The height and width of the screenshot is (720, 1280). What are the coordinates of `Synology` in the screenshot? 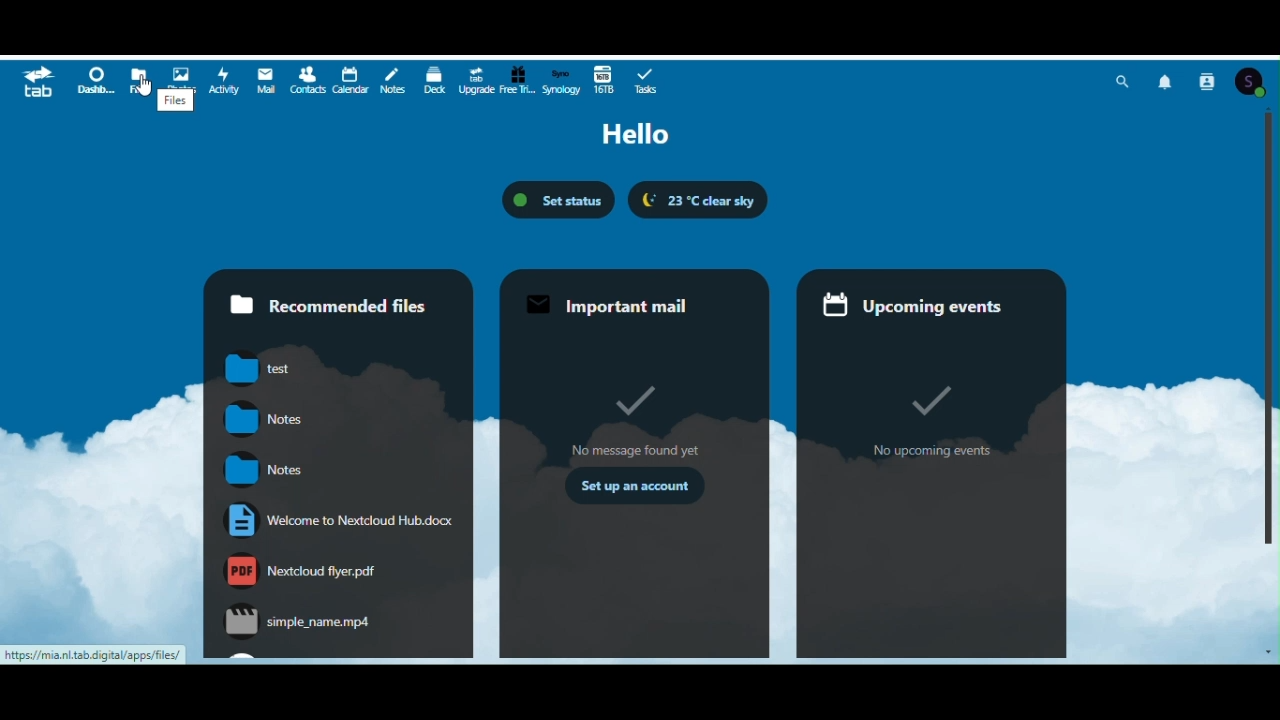 It's located at (559, 80).